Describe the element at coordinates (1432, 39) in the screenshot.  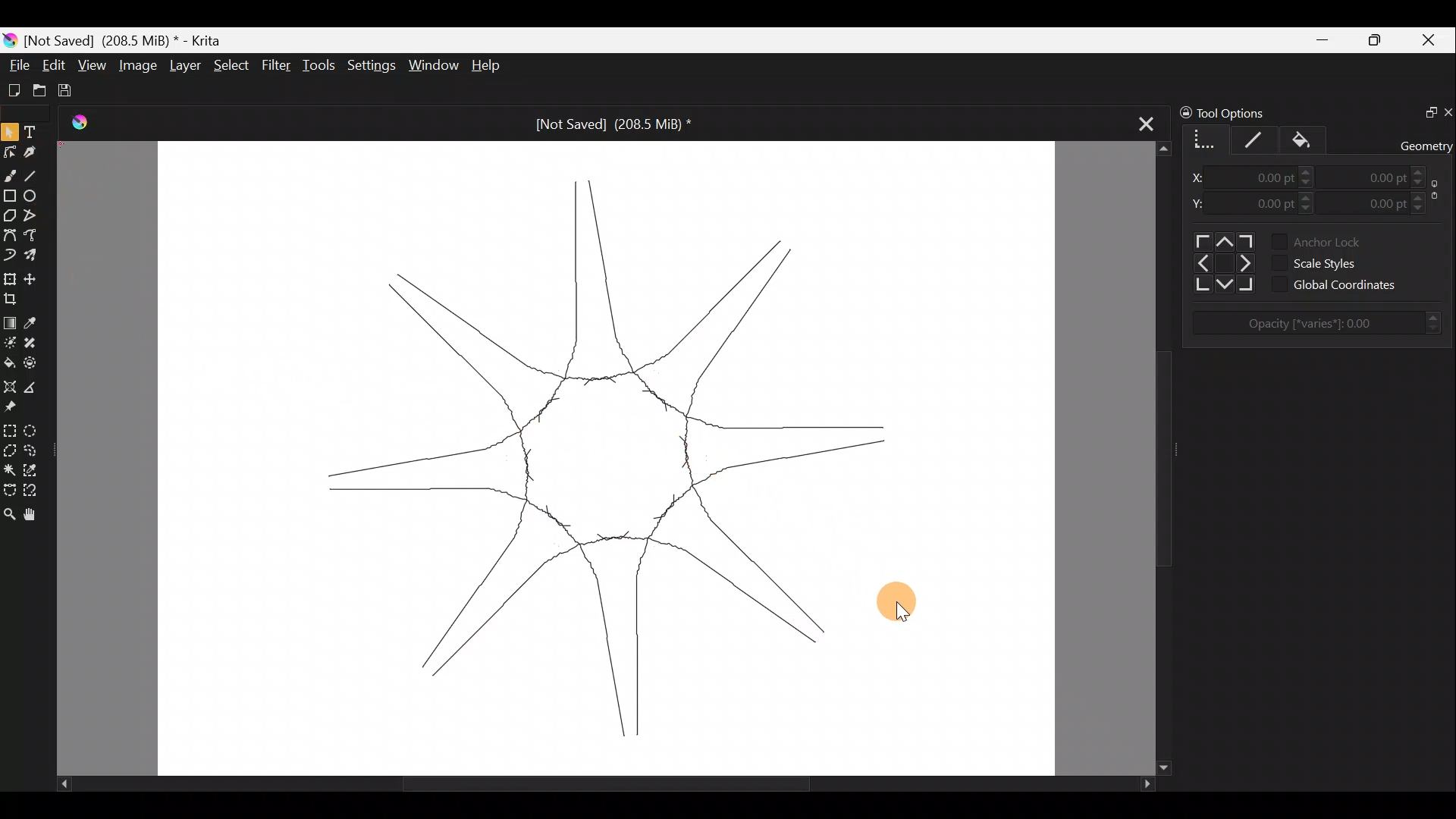
I see `Close` at that location.